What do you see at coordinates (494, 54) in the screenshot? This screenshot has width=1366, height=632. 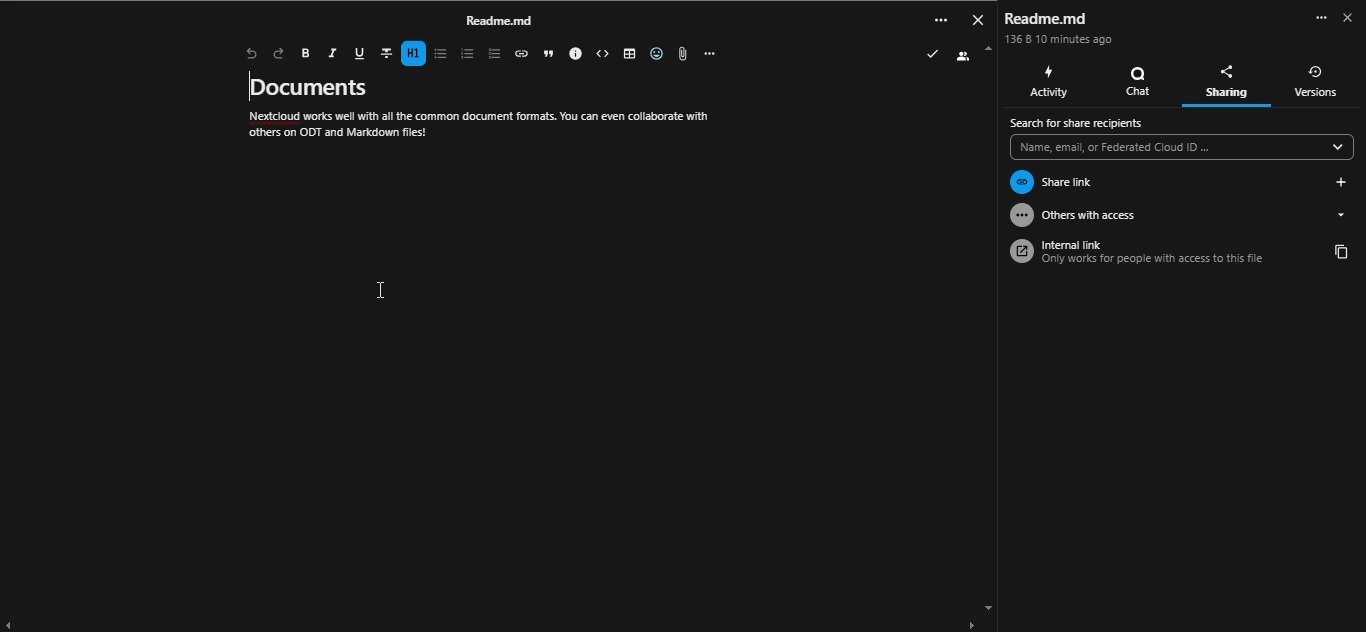 I see `bullet` at bounding box center [494, 54].